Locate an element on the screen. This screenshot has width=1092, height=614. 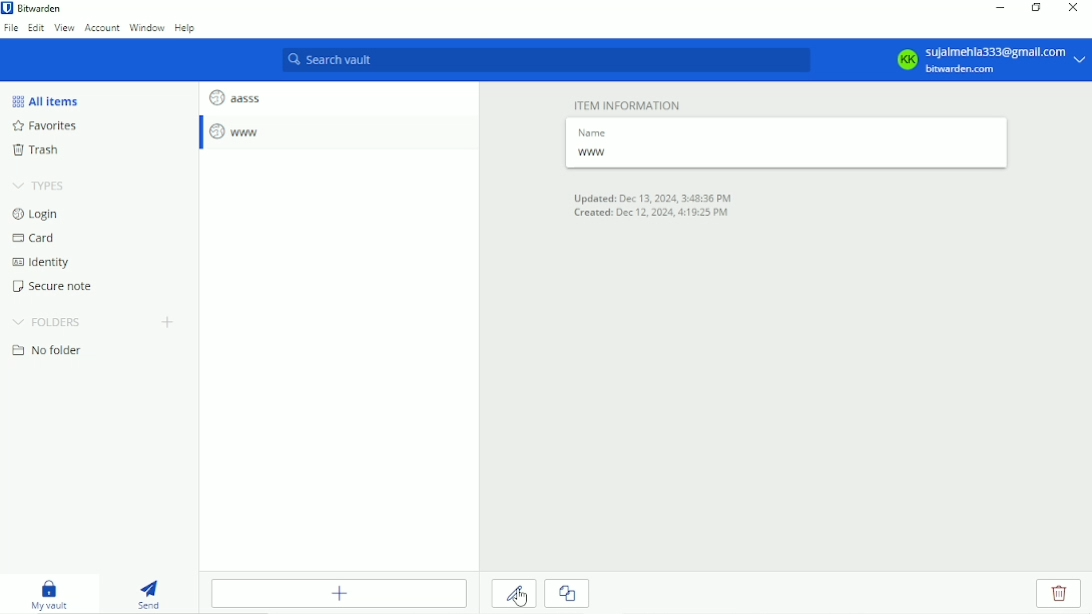
Add item is located at coordinates (339, 593).